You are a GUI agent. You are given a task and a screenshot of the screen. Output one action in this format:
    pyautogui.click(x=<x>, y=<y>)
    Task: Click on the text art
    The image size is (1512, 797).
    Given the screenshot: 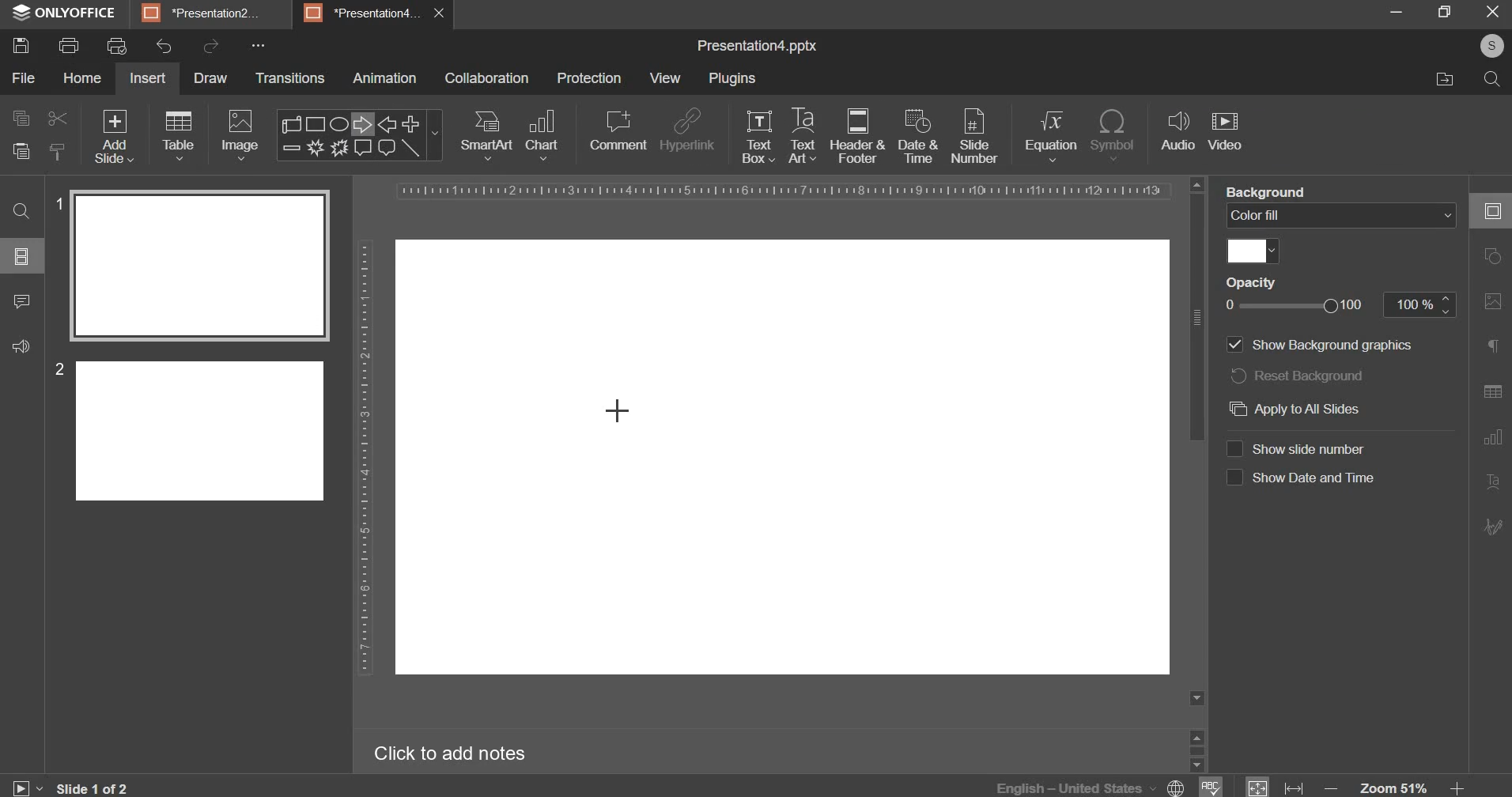 What is the action you would take?
    pyautogui.click(x=800, y=136)
    